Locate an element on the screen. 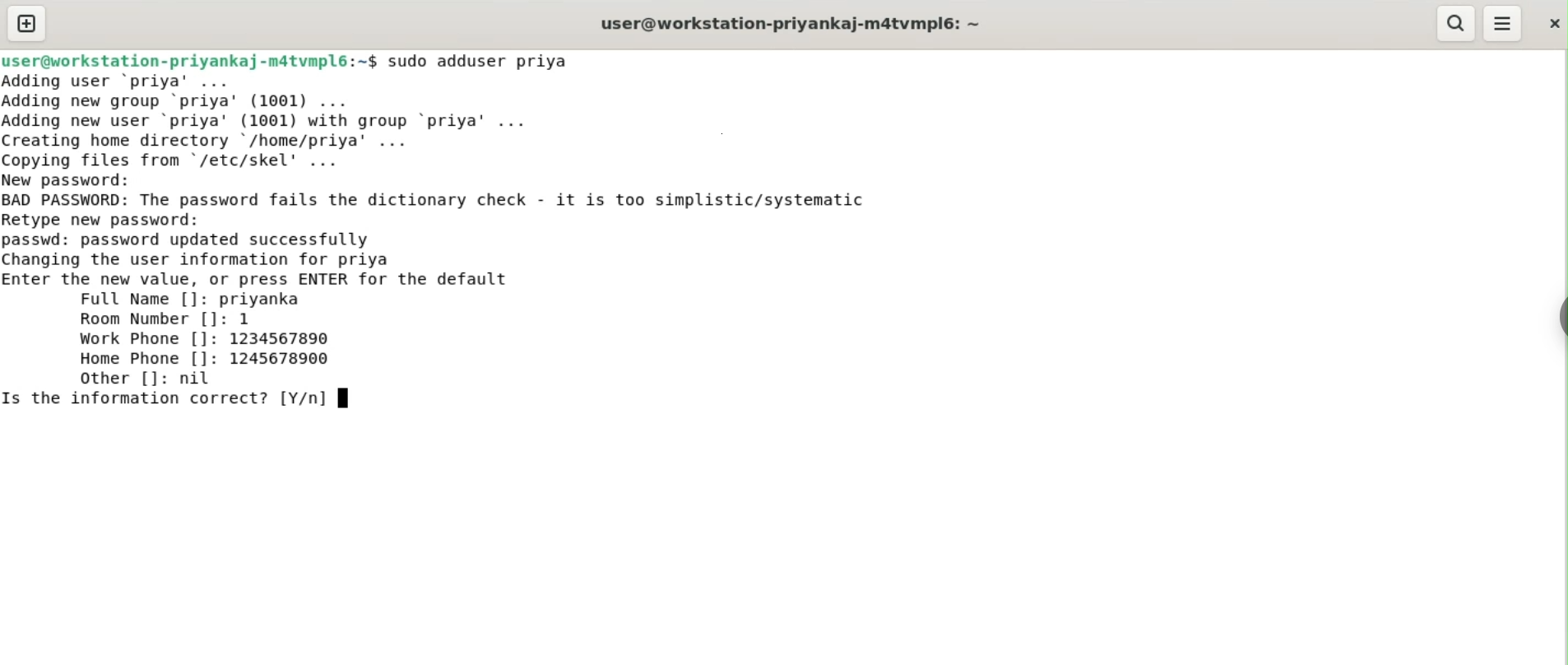  passwd: password updated successfully    changing the user information for priya  enter the new value, or press ENTER for default value is located at coordinates (295, 257).